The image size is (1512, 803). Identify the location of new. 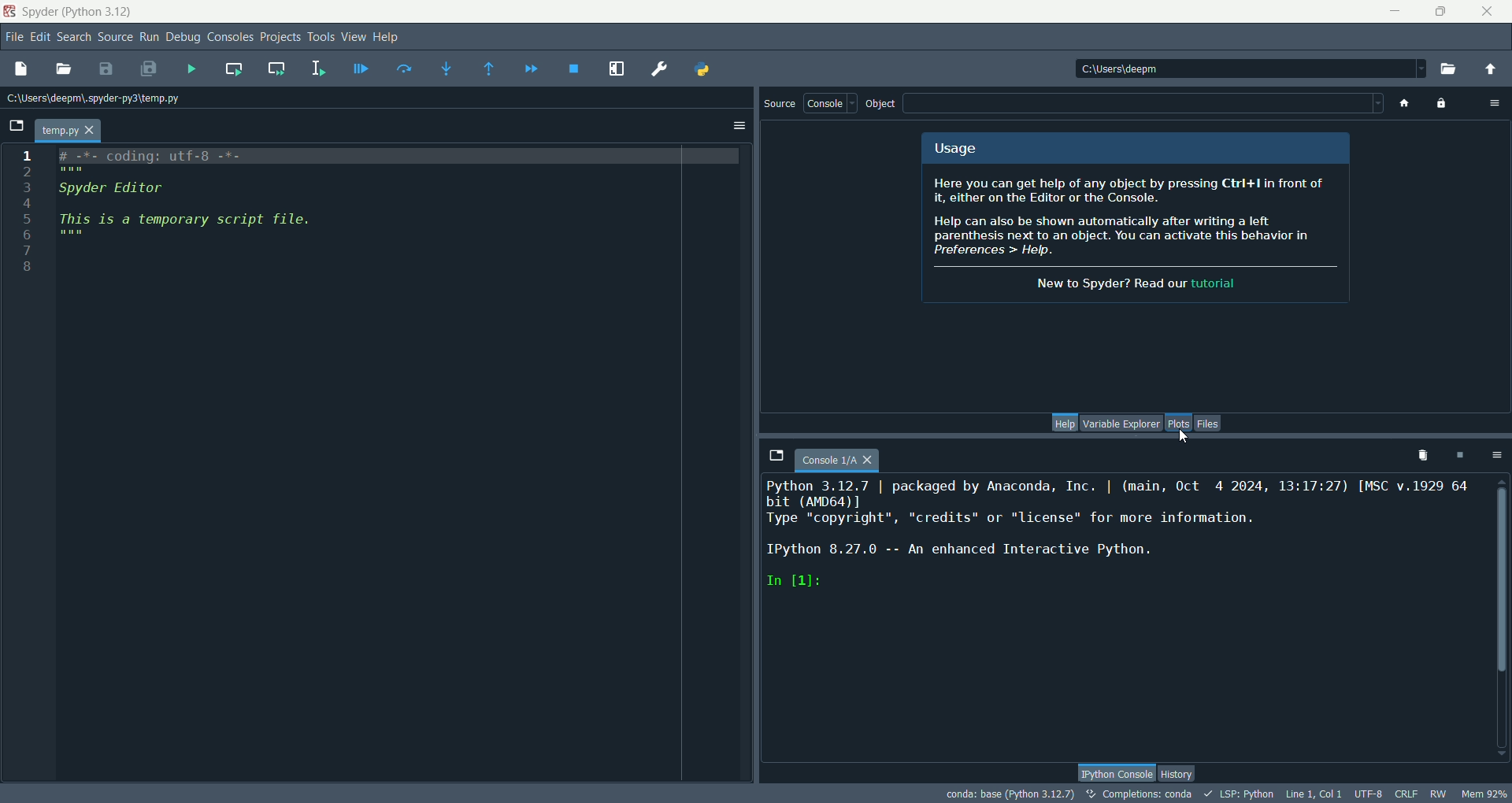
(22, 68).